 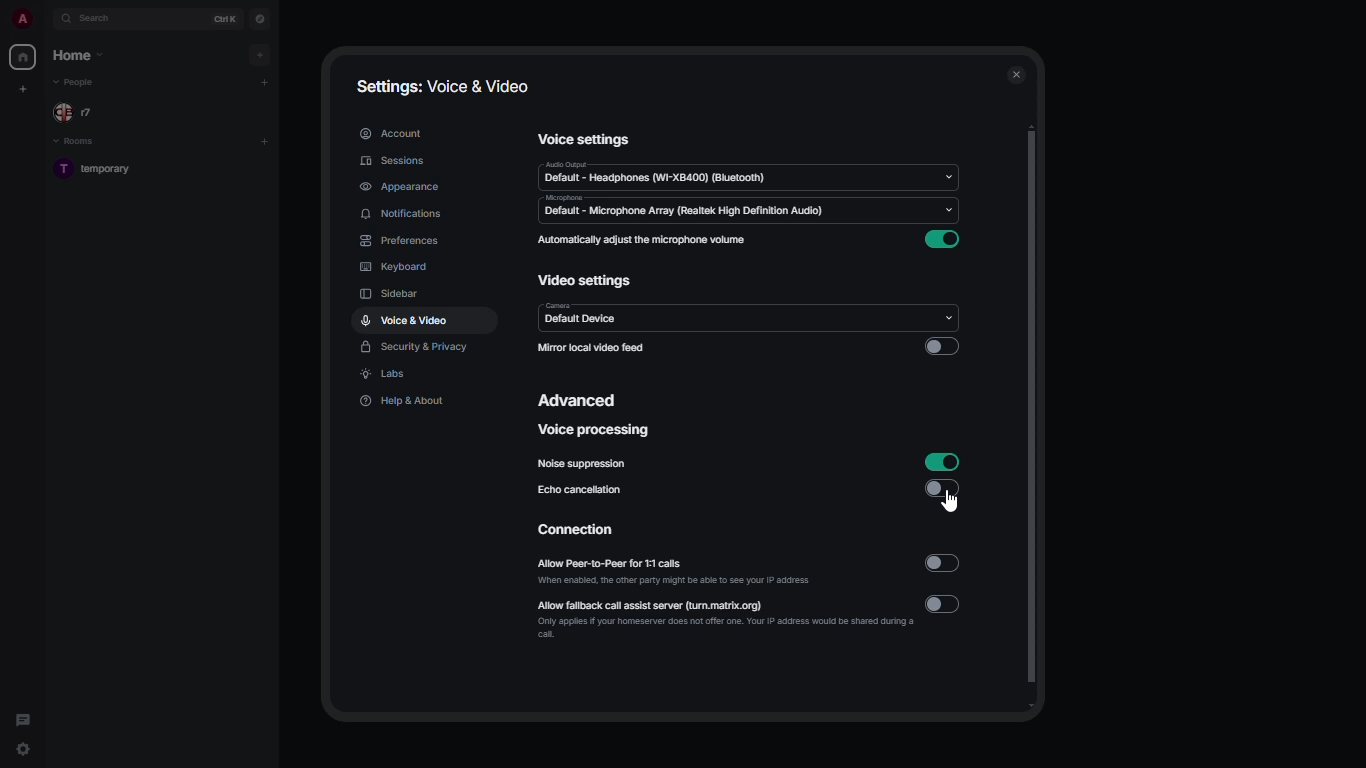 What do you see at coordinates (947, 209) in the screenshot?
I see `drop down` at bounding box center [947, 209].